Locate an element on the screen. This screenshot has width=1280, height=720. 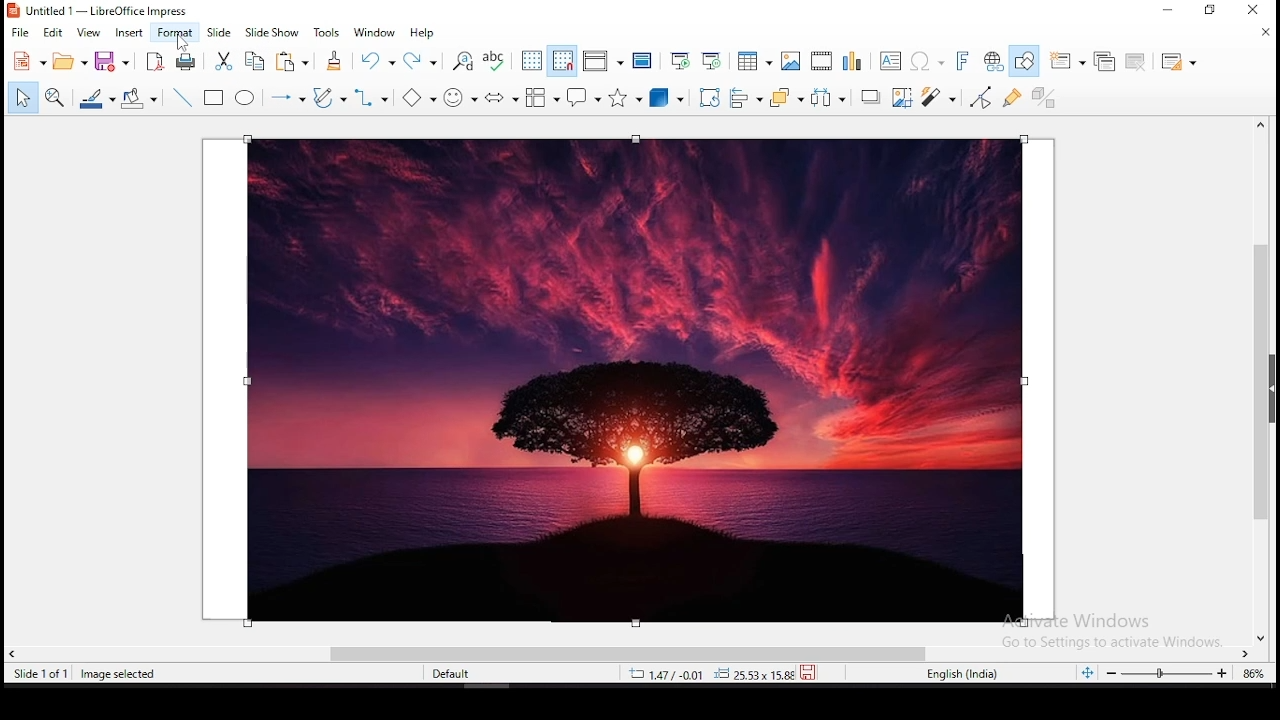
find and replace is located at coordinates (464, 62).